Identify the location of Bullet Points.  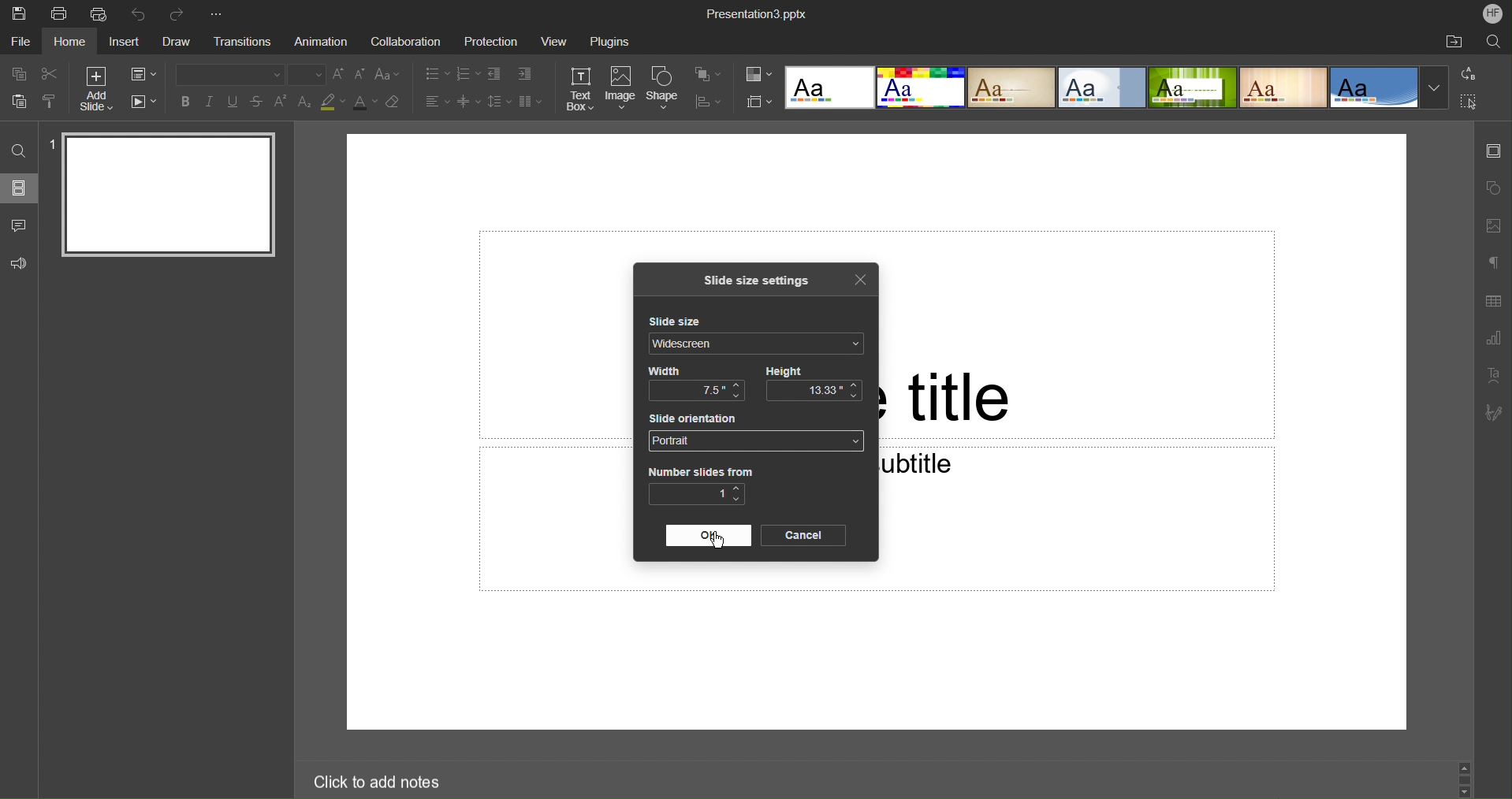
(435, 73).